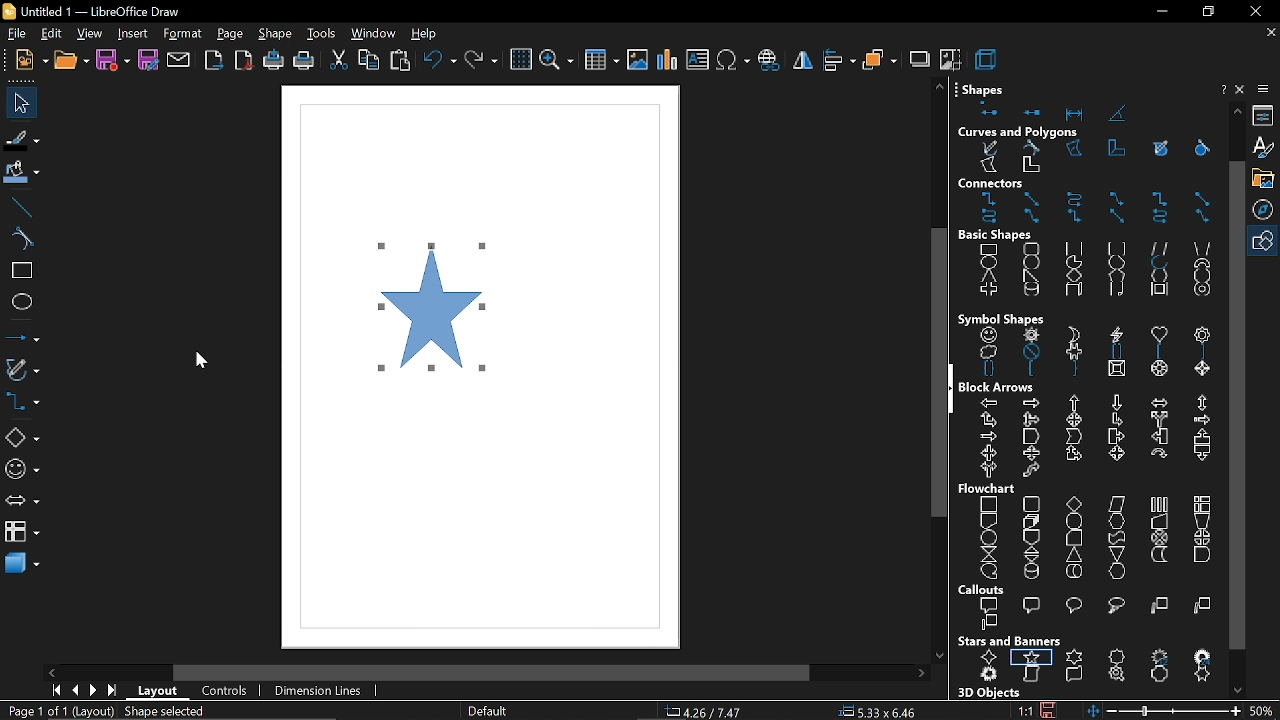  I want to click on file, so click(24, 102).